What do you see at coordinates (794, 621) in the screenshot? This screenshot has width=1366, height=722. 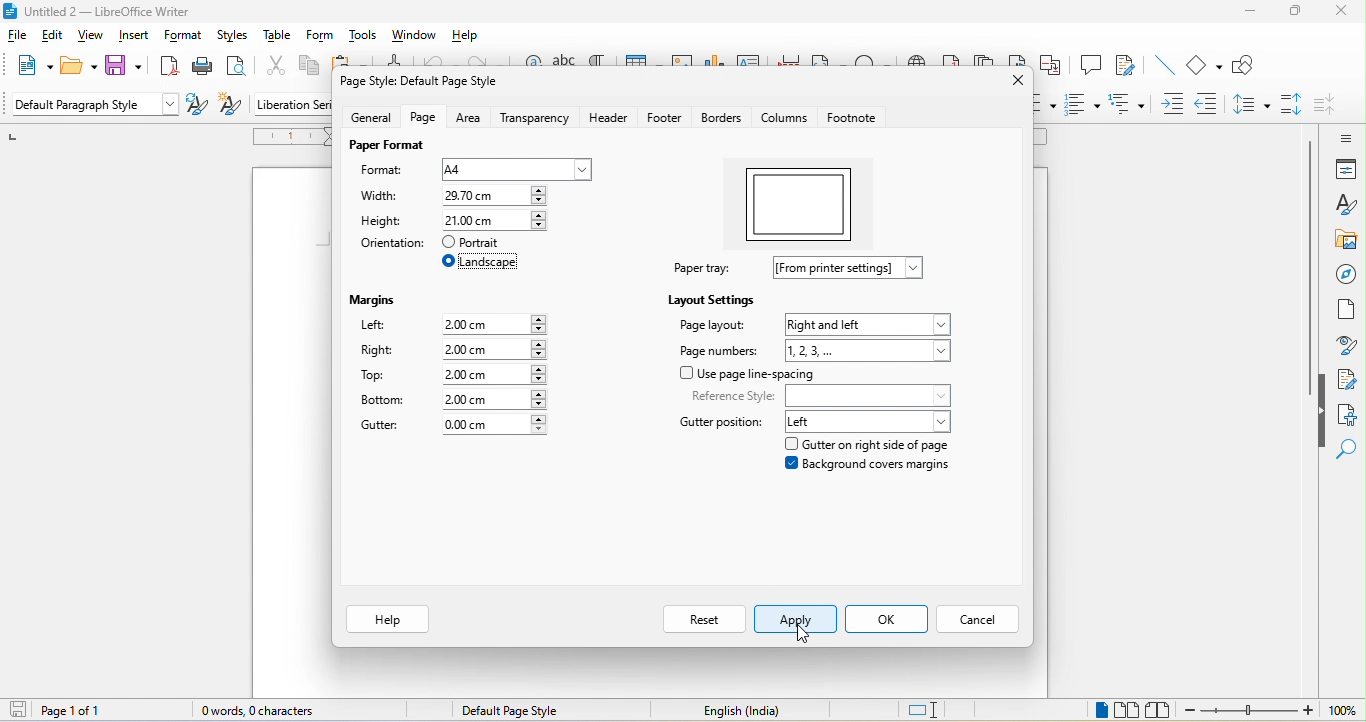 I see `select apply` at bounding box center [794, 621].